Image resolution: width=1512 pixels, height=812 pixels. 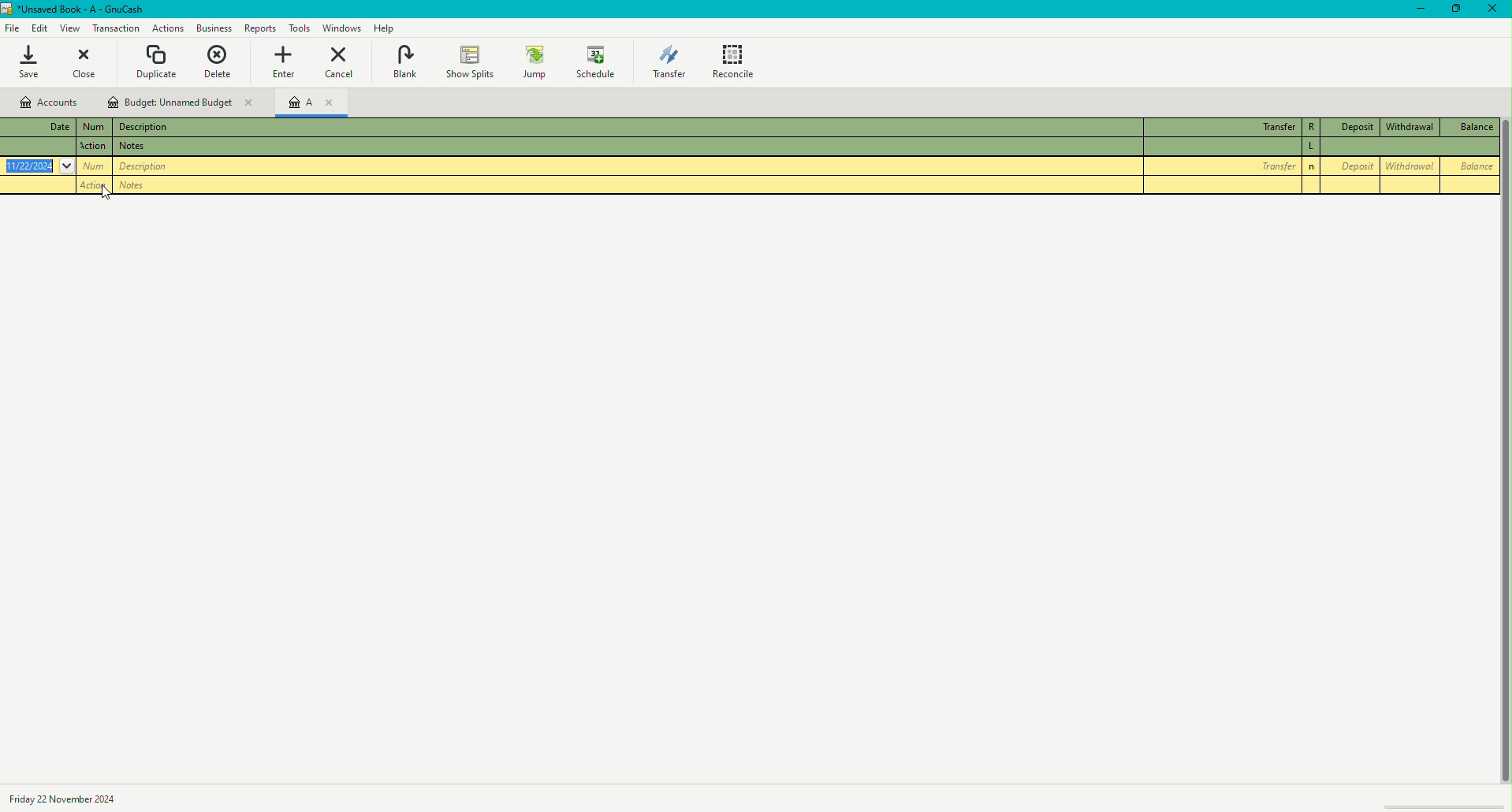 I want to click on Help, so click(x=387, y=28).